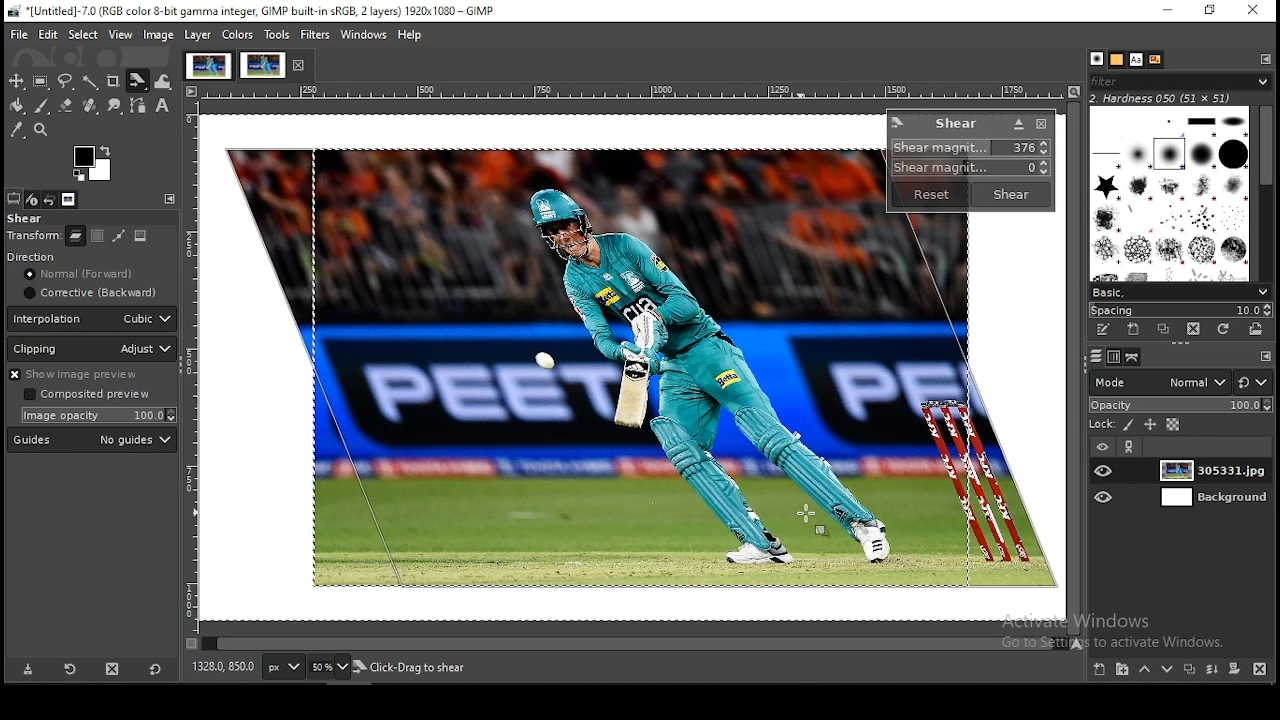 The width and height of the screenshot is (1280, 720). What do you see at coordinates (1131, 447) in the screenshot?
I see `link` at bounding box center [1131, 447].